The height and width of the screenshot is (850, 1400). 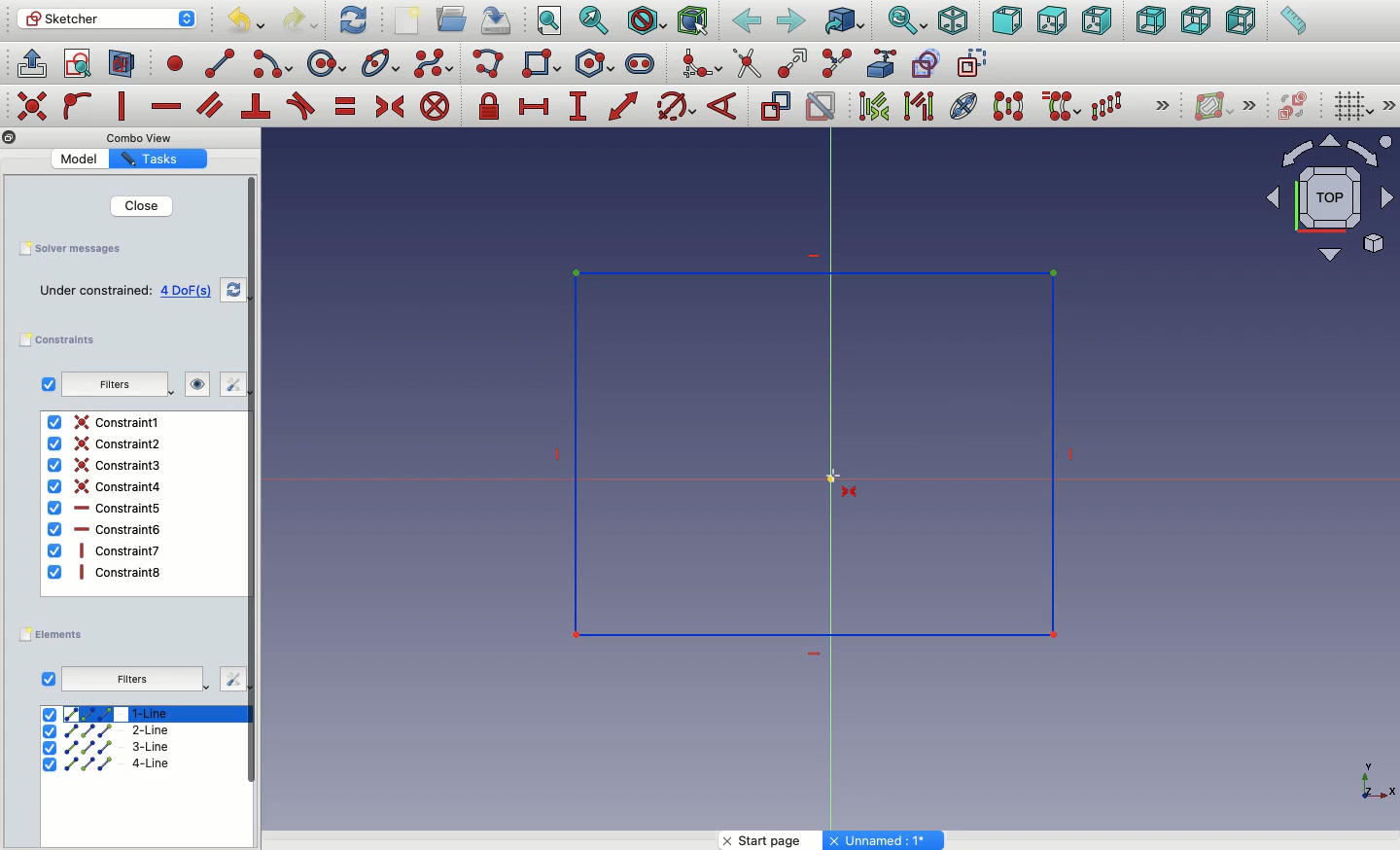 I want to click on 1-line, so click(x=108, y=713).